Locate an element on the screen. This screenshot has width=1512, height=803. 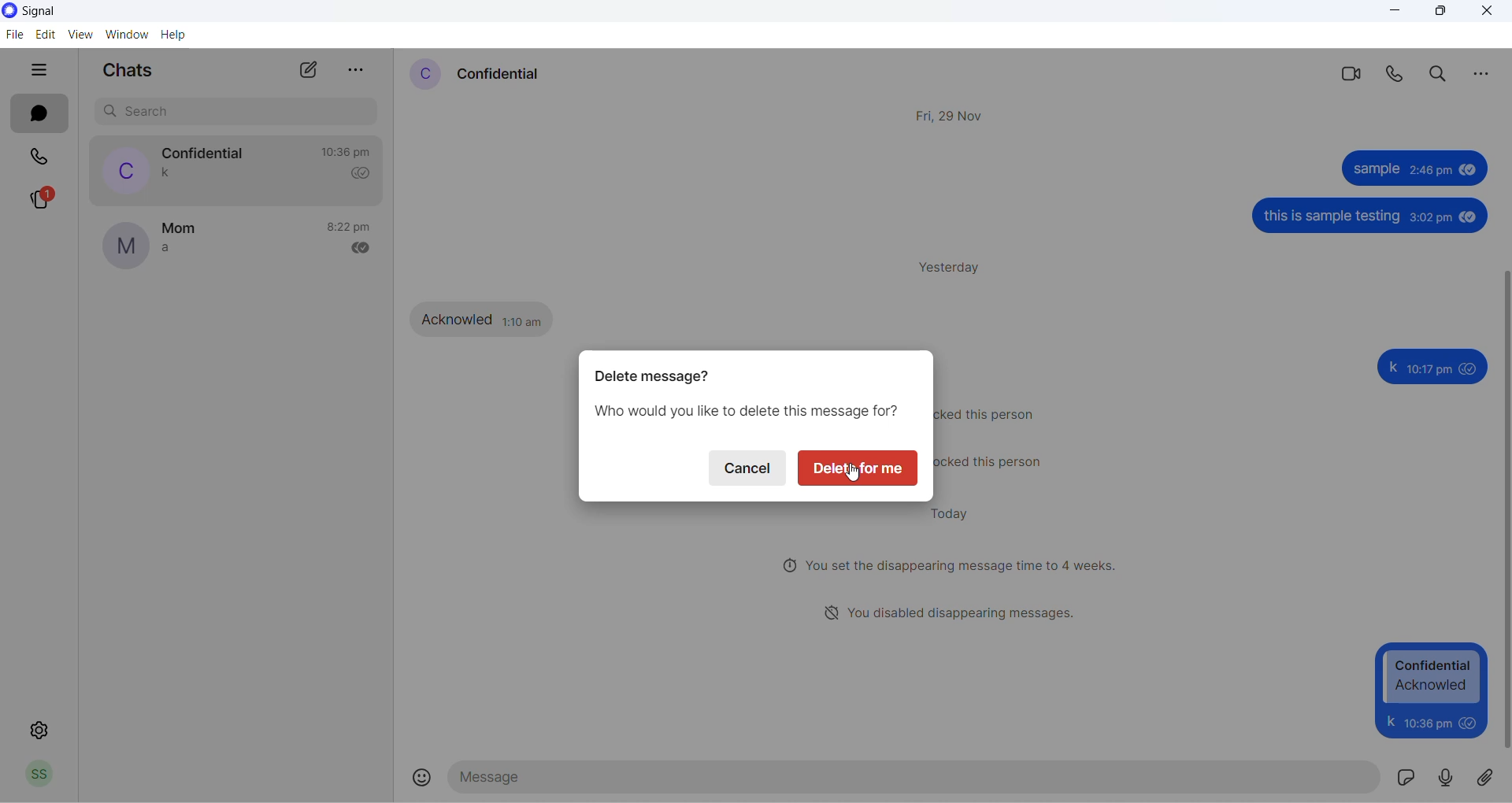
sticker is located at coordinates (1406, 777).